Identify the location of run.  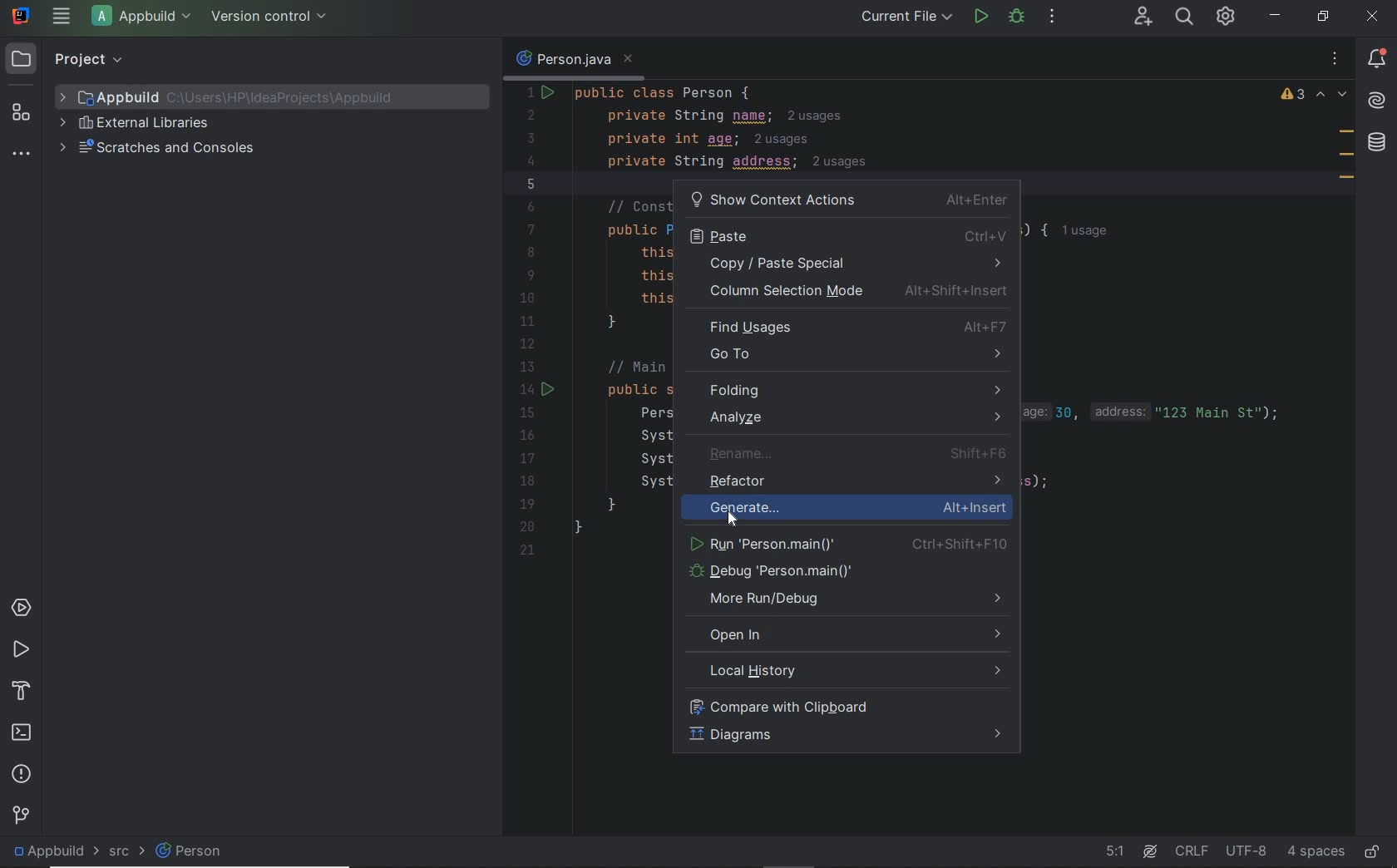
(981, 17).